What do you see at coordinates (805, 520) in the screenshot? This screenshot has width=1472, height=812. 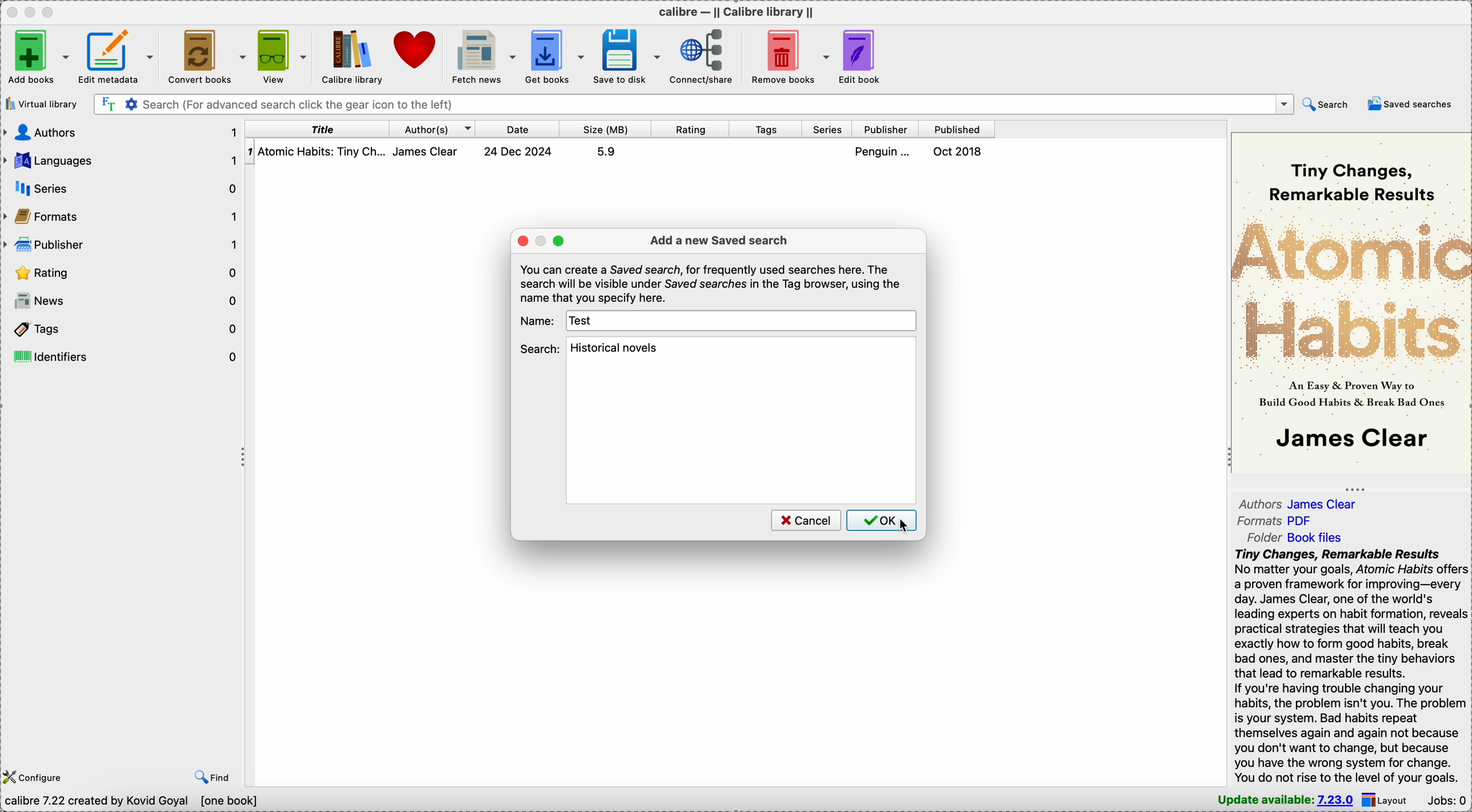 I see `cancel` at bounding box center [805, 520].